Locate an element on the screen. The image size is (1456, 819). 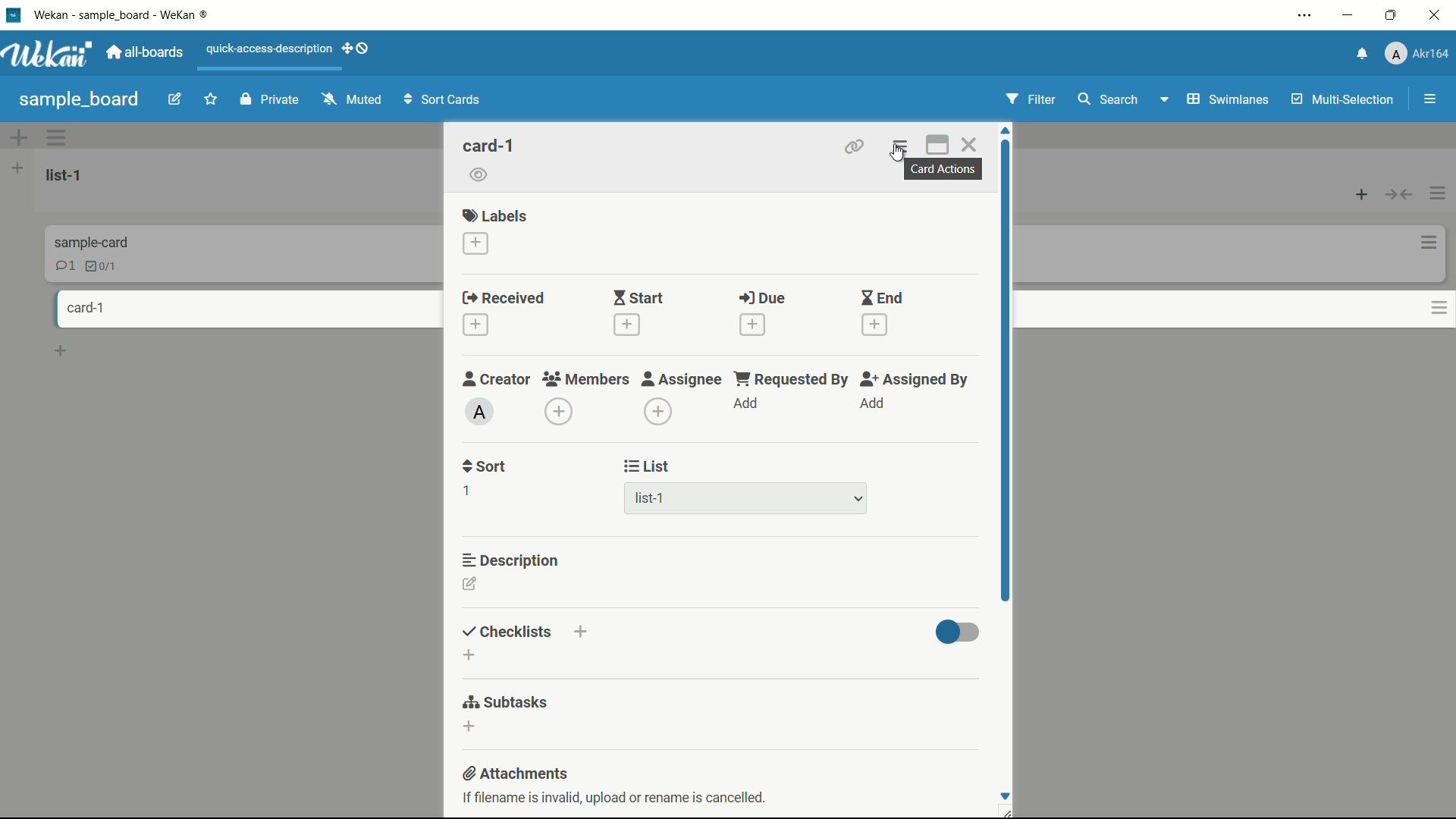
add assignee is located at coordinates (659, 413).